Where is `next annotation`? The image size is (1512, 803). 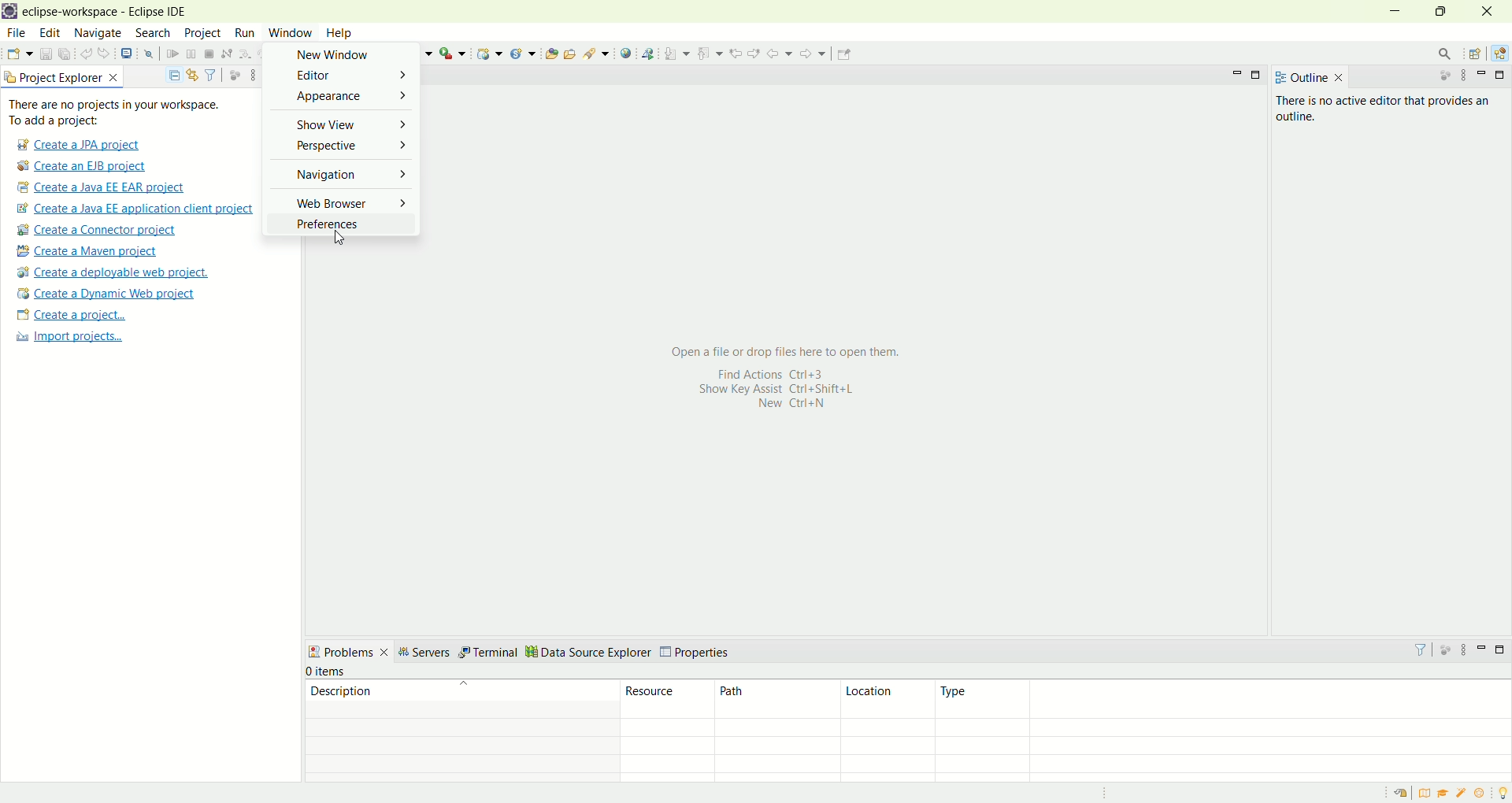 next annotation is located at coordinates (677, 53).